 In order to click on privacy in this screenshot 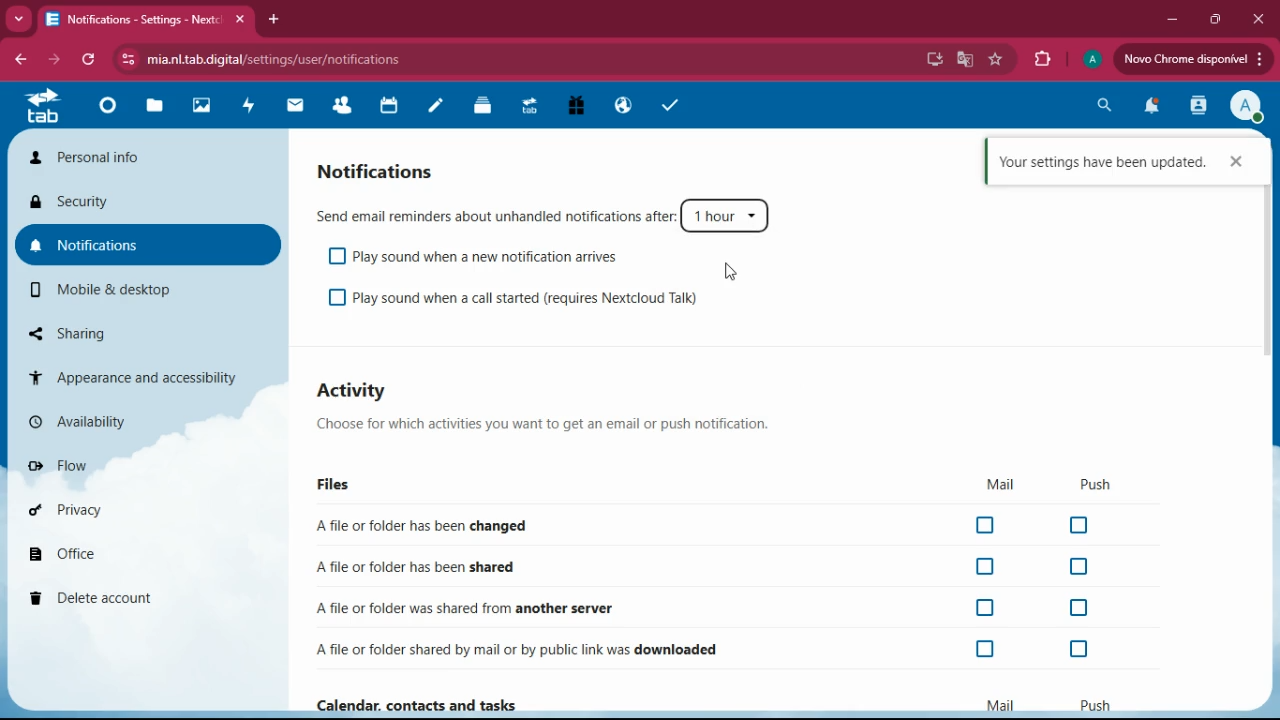, I will do `click(125, 511)`.